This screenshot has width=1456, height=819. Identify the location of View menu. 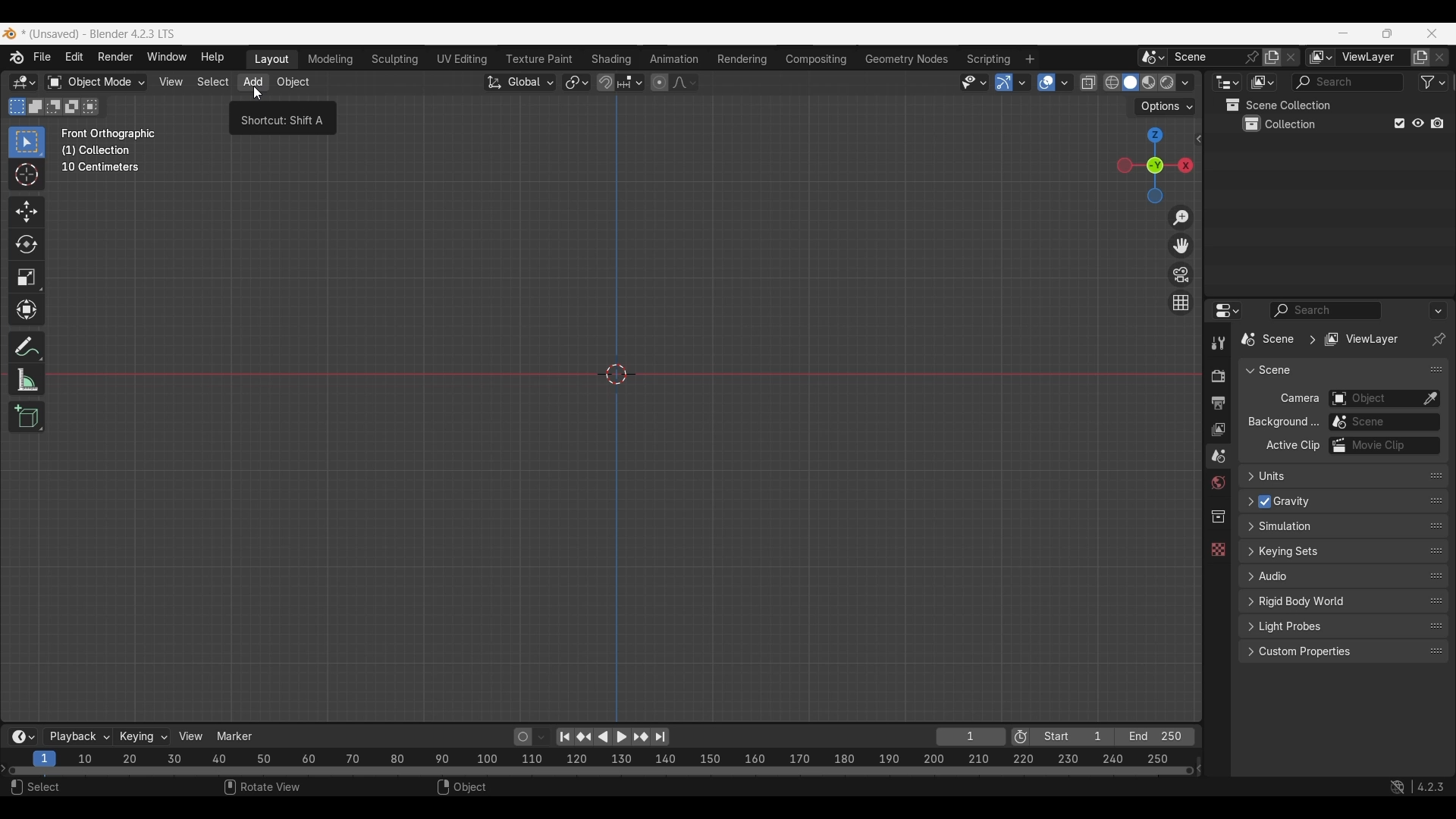
(170, 82).